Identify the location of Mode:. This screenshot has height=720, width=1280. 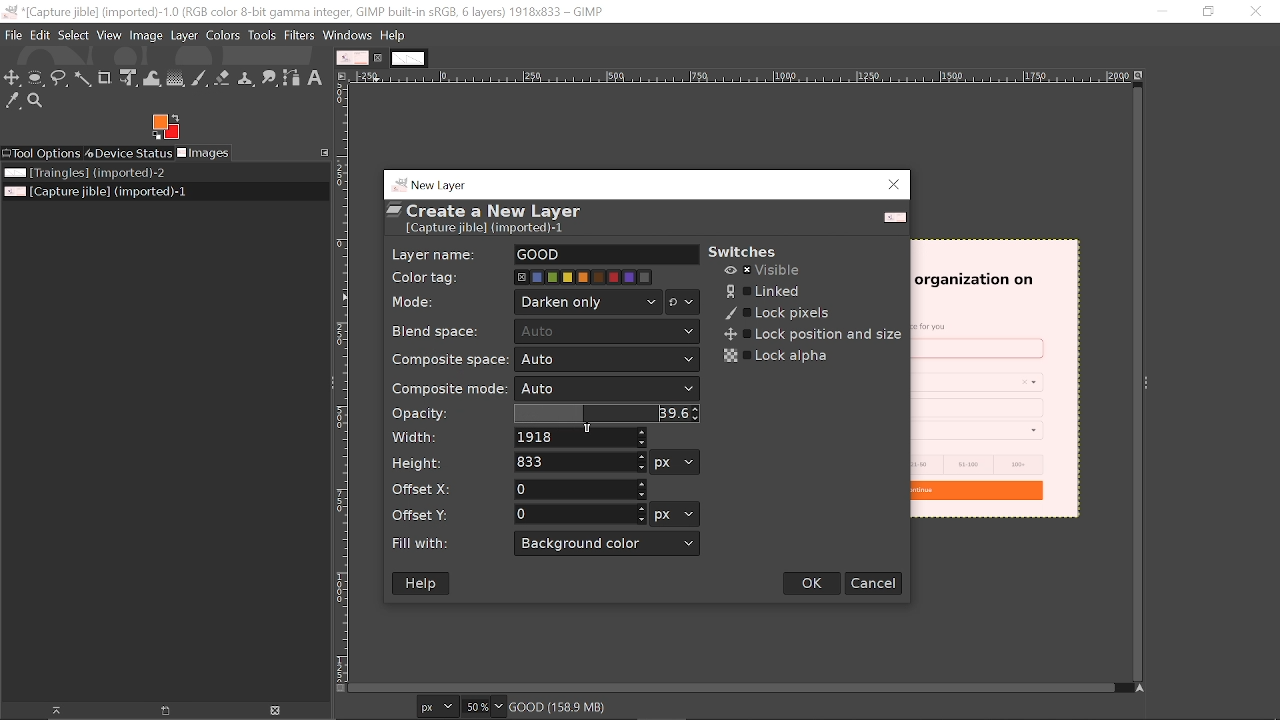
(416, 304).